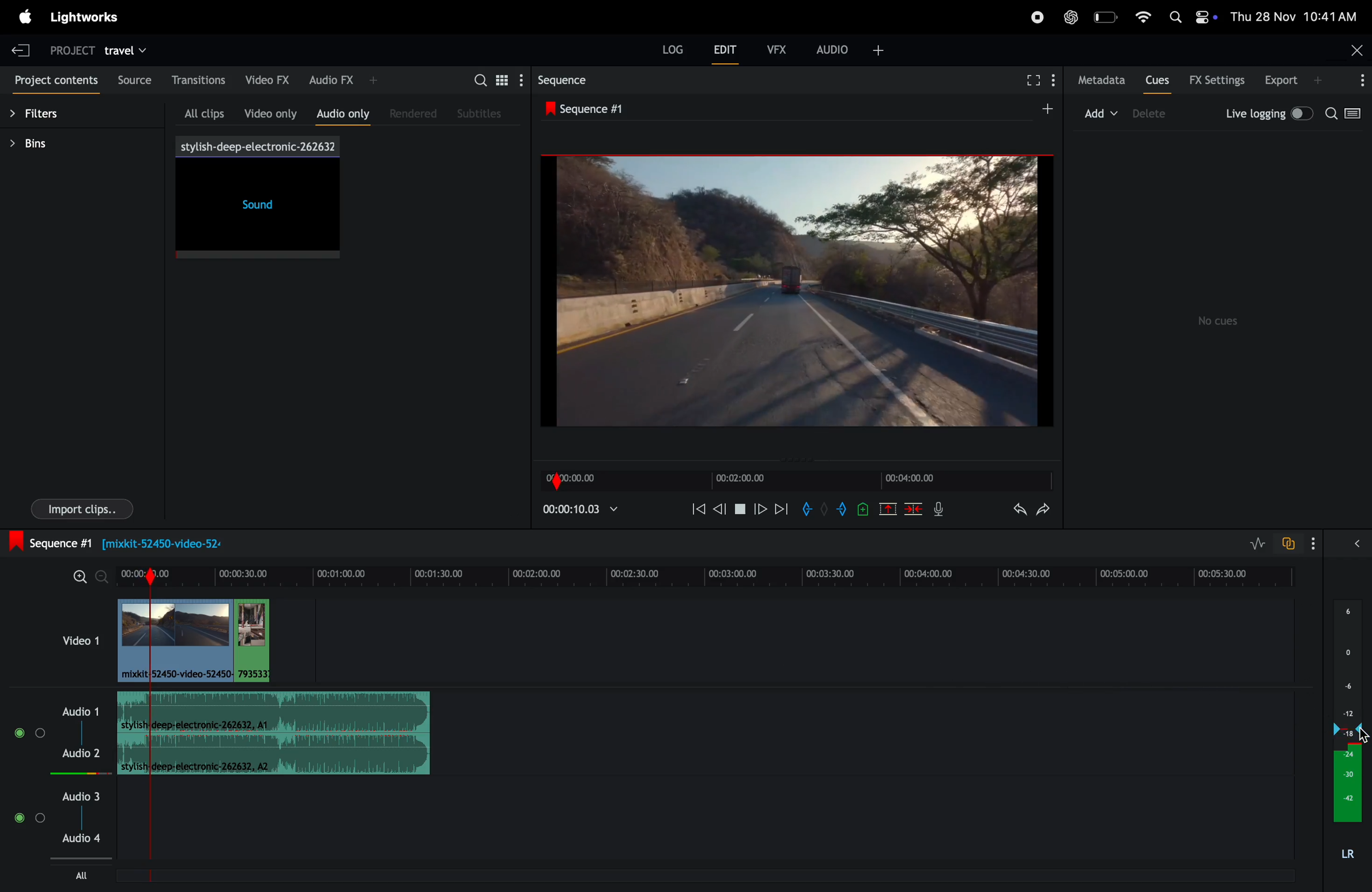  What do you see at coordinates (797, 289) in the screenshot?
I see `output screen` at bounding box center [797, 289].